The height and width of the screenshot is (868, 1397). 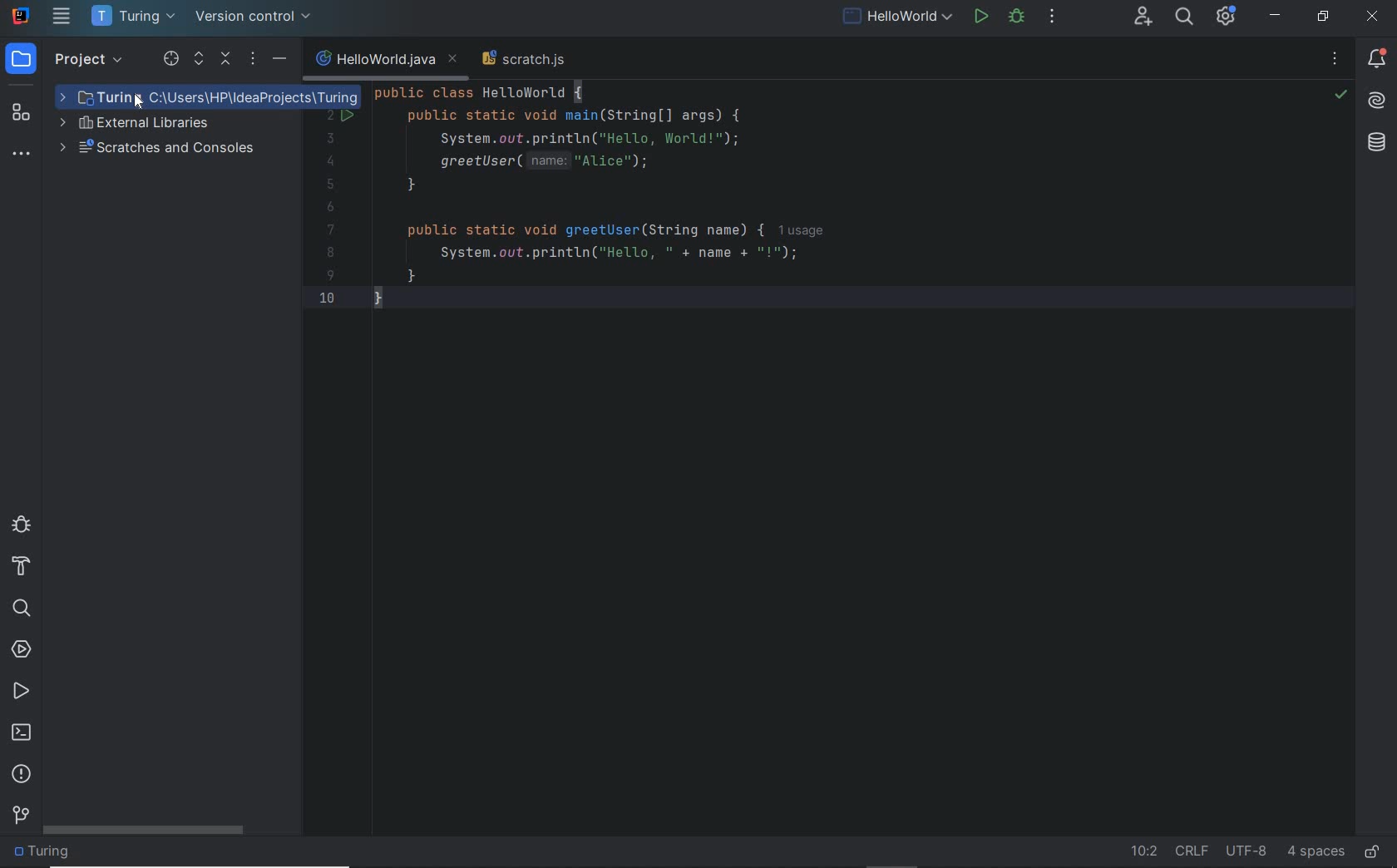 I want to click on AI Assistant, so click(x=1375, y=101).